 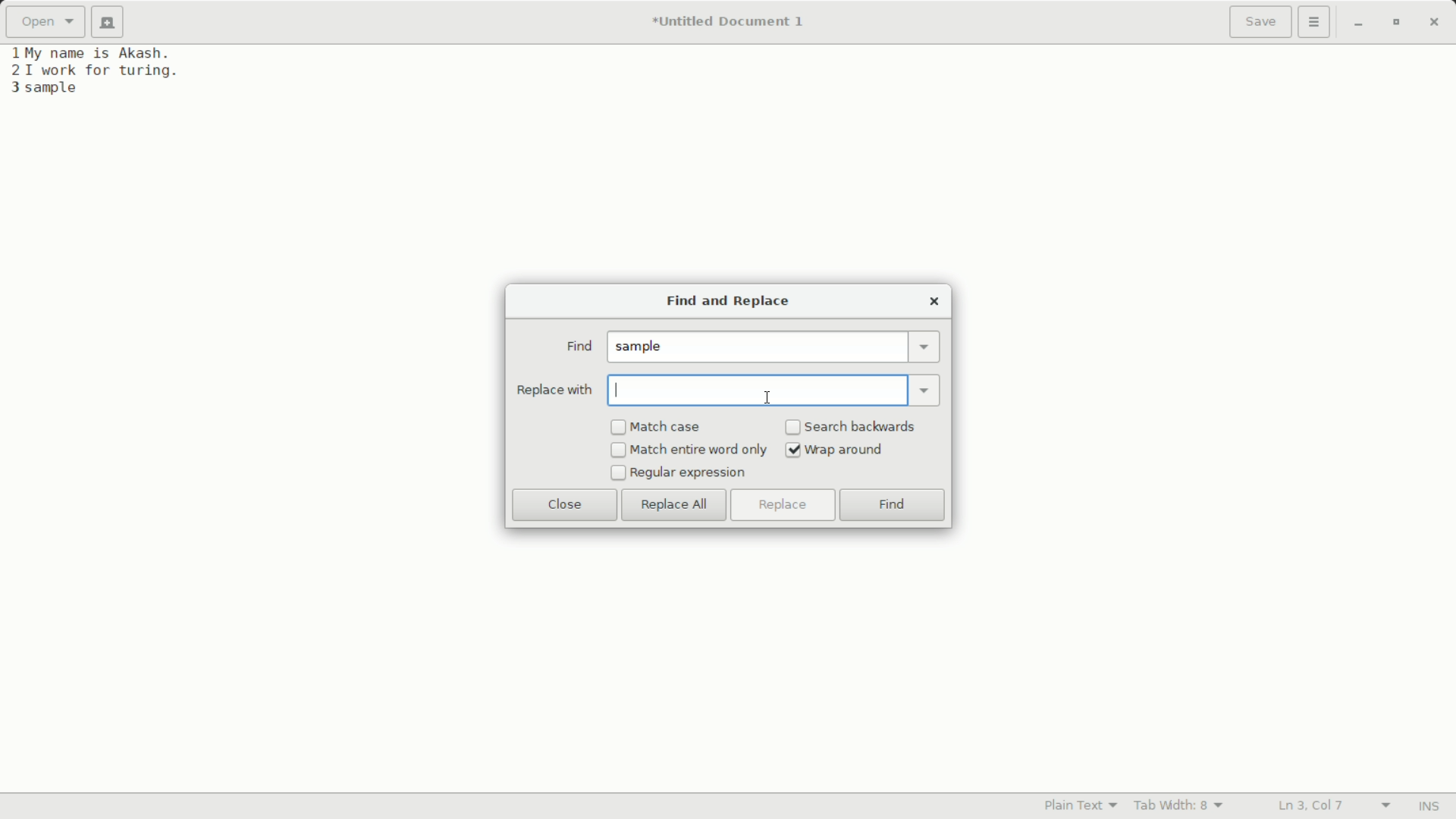 What do you see at coordinates (618, 428) in the screenshot?
I see `checkbox` at bounding box center [618, 428].